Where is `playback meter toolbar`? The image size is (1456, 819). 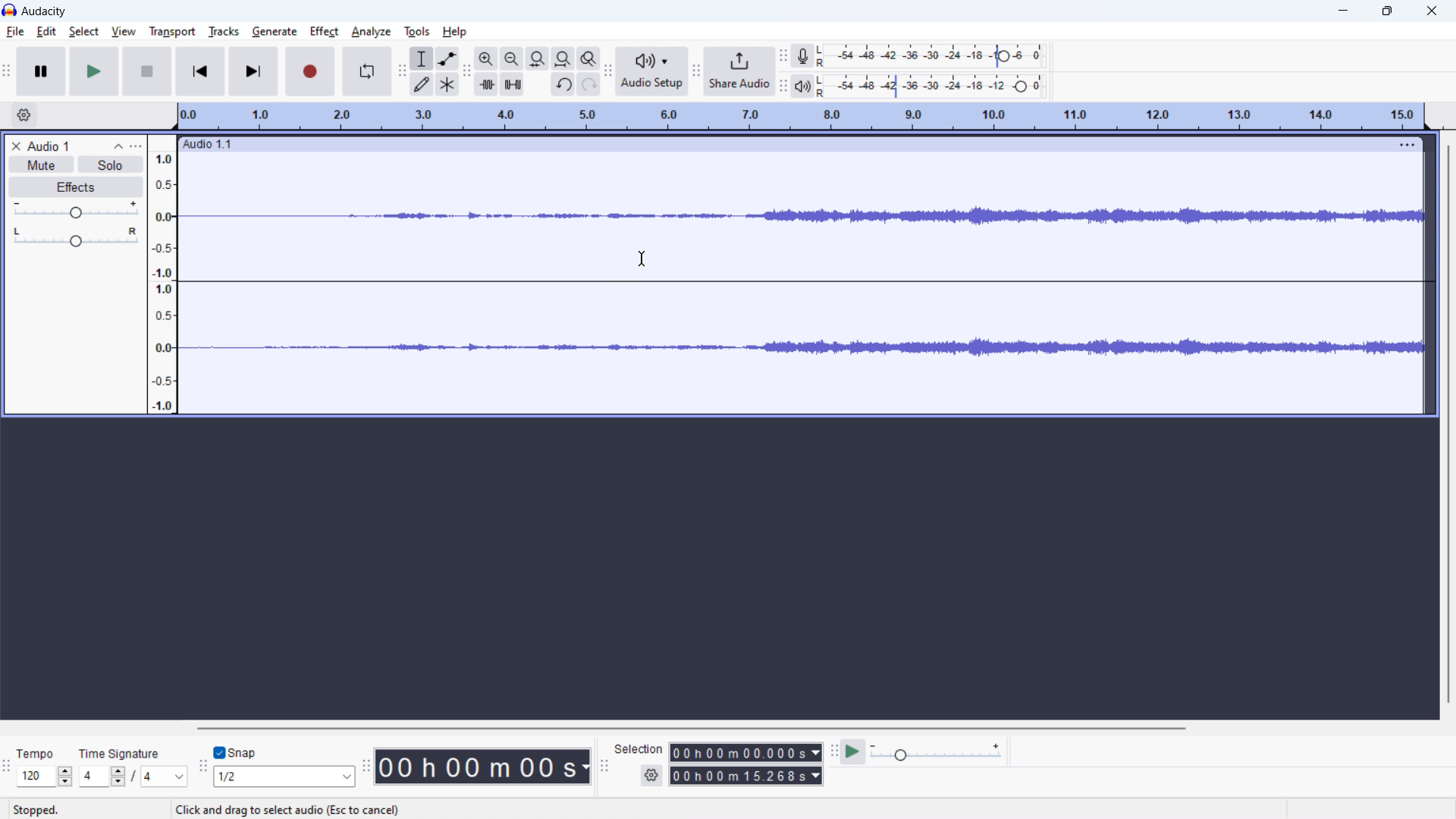 playback meter toolbar is located at coordinates (783, 85).